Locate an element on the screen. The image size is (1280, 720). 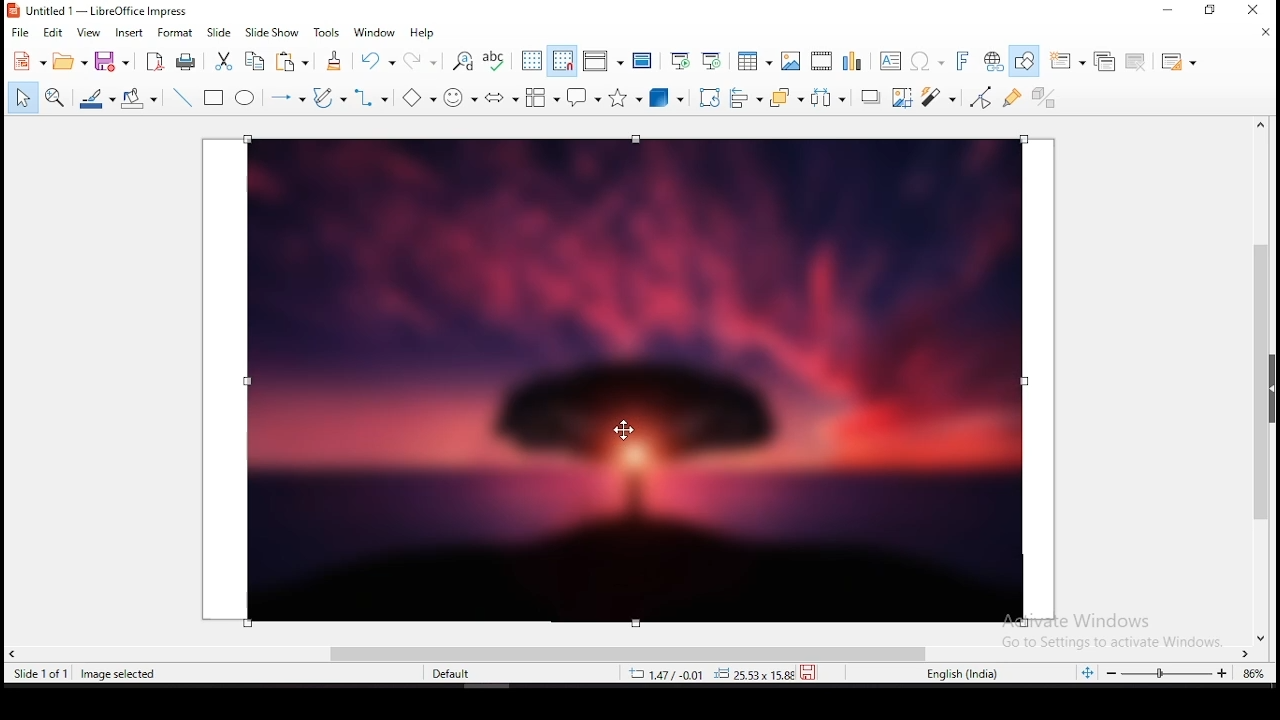
insert is located at coordinates (129, 33).